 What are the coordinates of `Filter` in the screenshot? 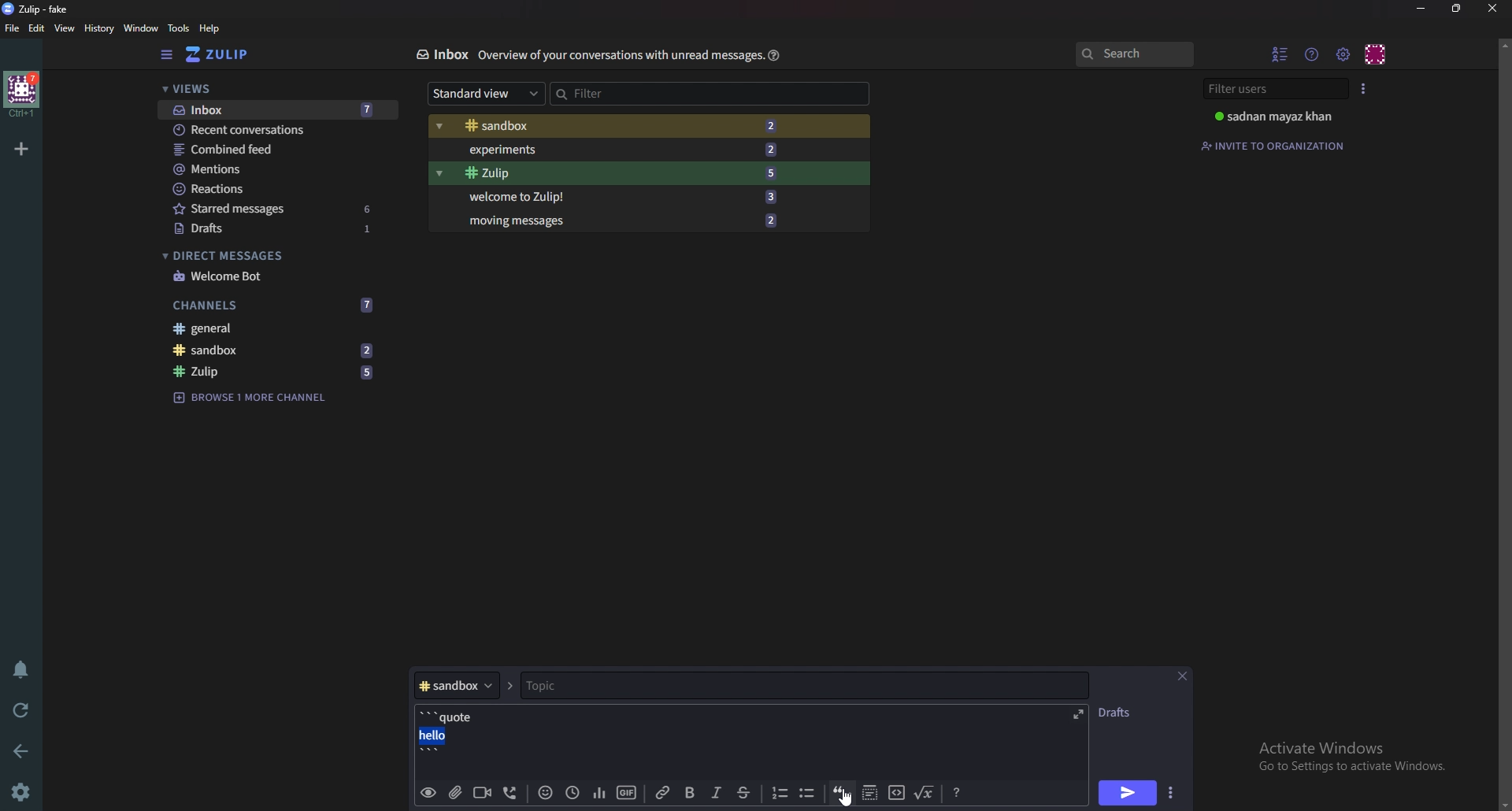 It's located at (710, 94).